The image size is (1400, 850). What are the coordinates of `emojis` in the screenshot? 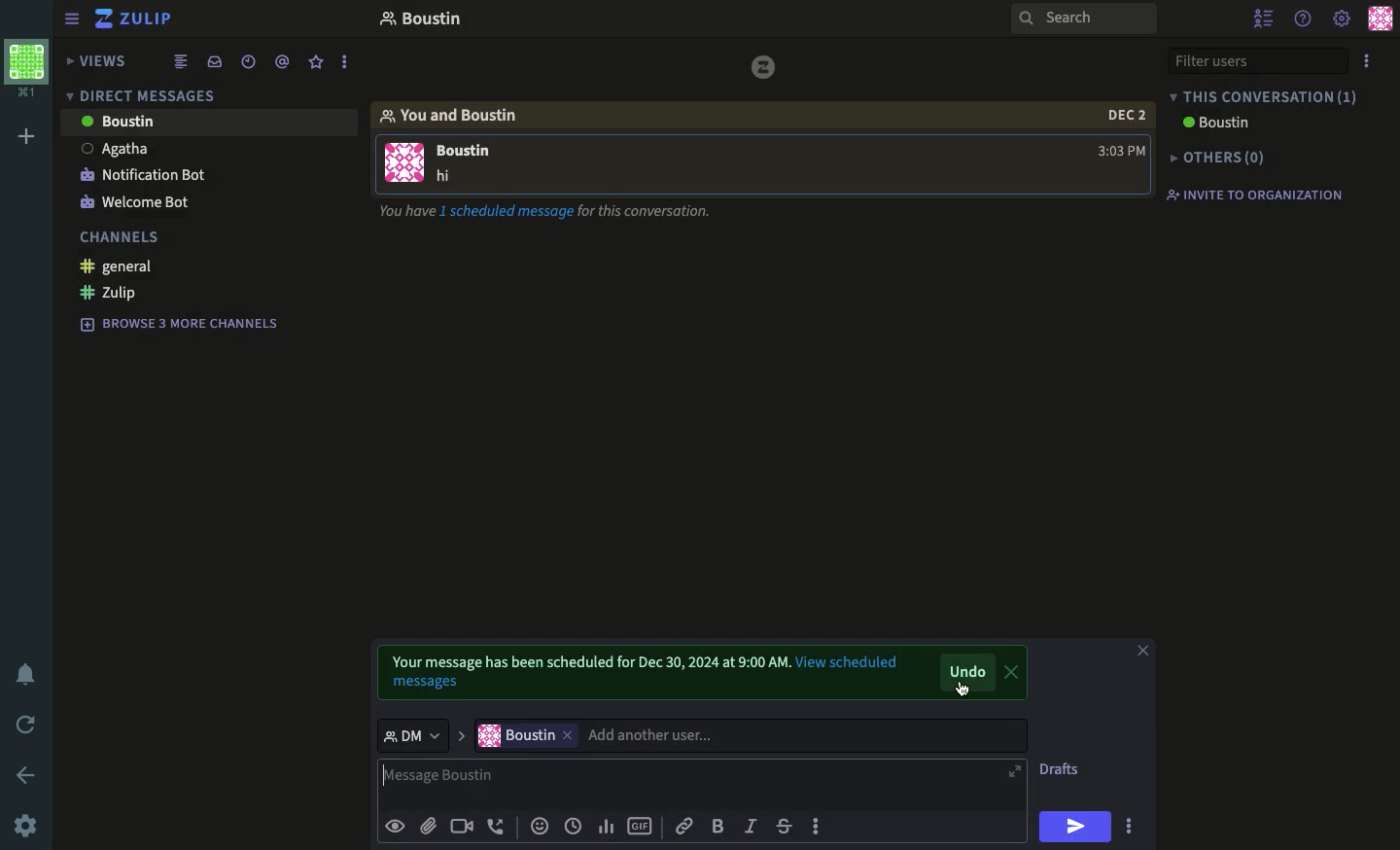 It's located at (540, 824).